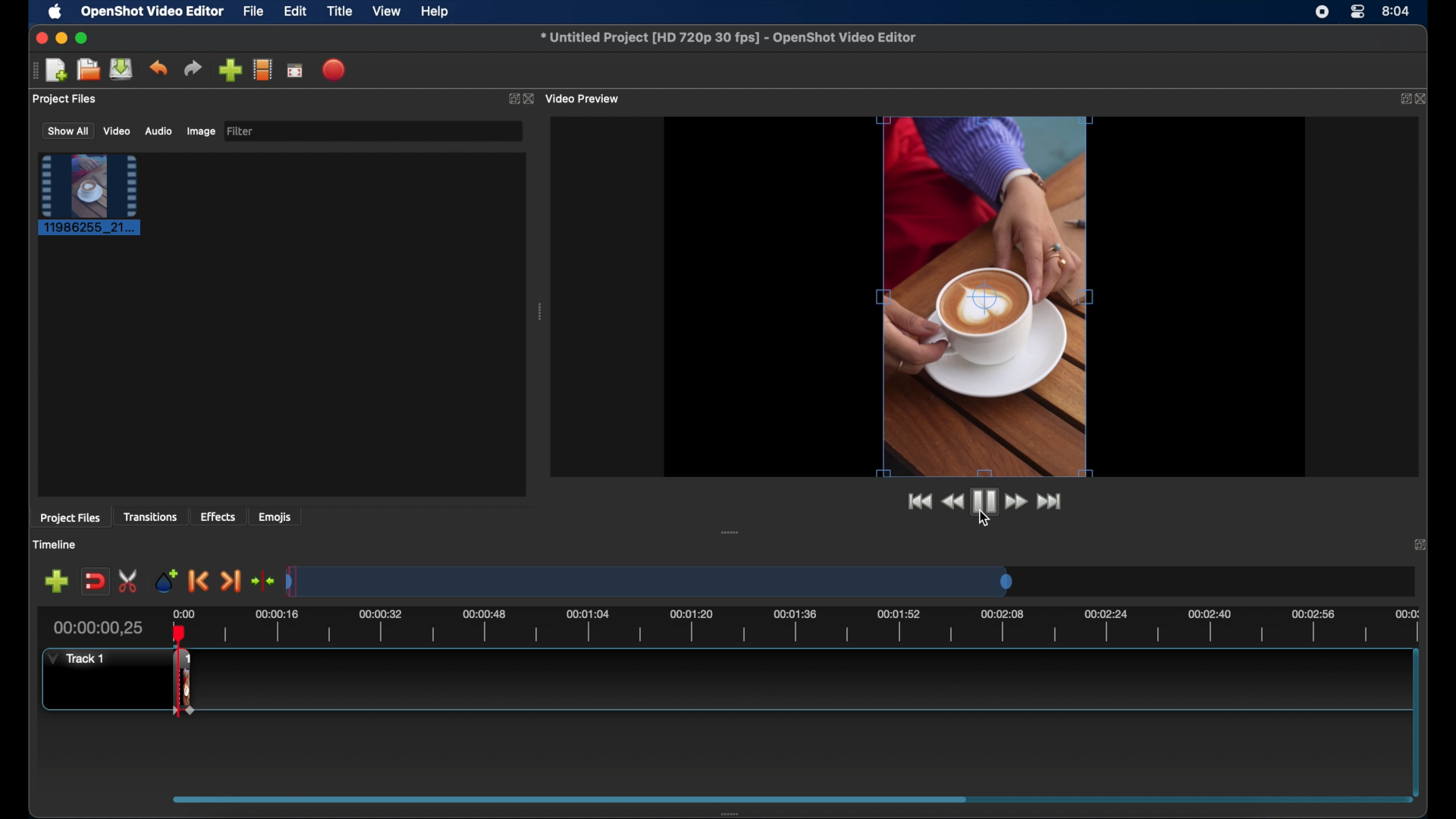 The height and width of the screenshot is (819, 1456). Describe the element at coordinates (229, 71) in the screenshot. I see `import files` at that location.